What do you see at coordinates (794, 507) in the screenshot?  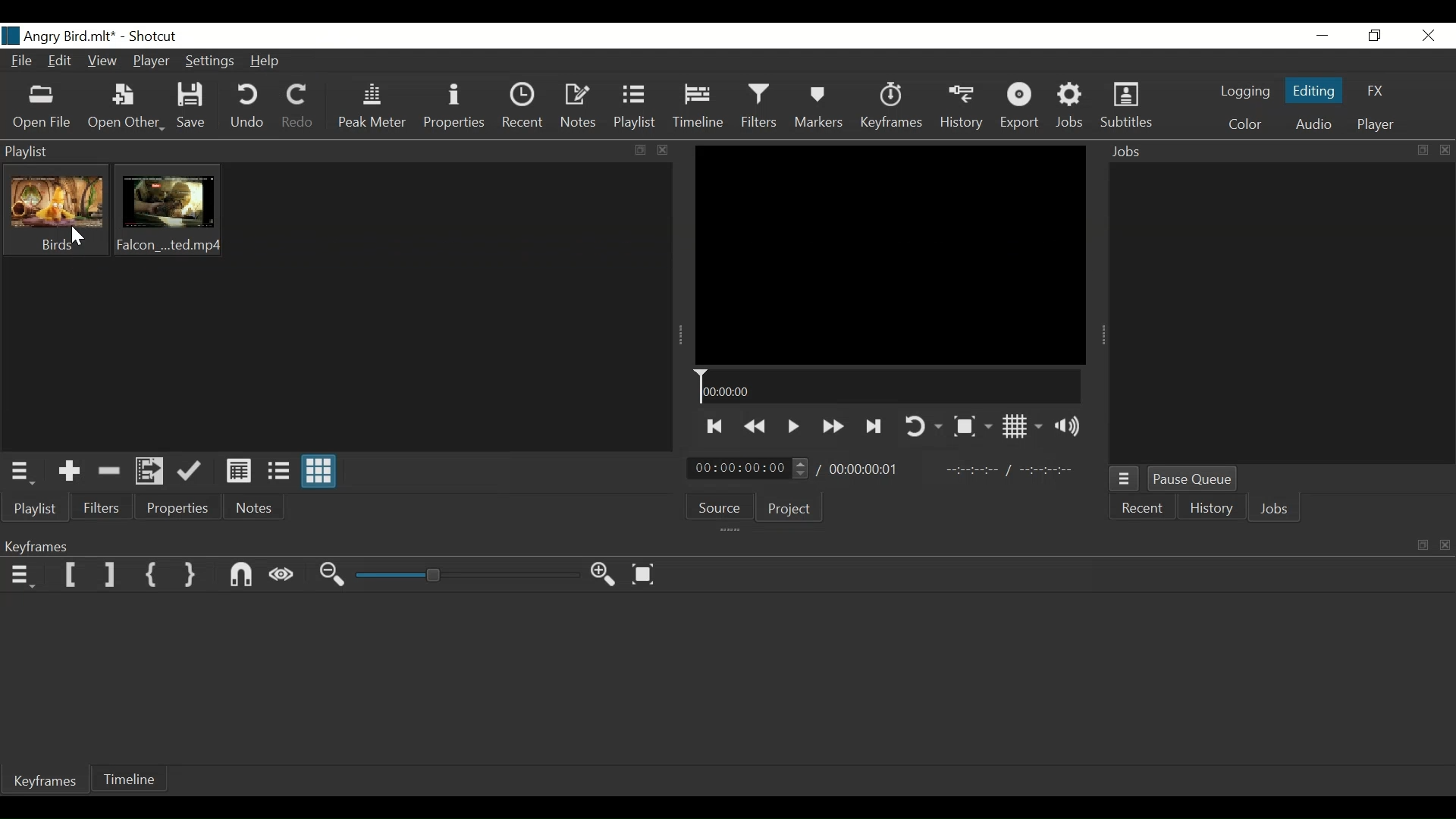 I see `Project` at bounding box center [794, 507].